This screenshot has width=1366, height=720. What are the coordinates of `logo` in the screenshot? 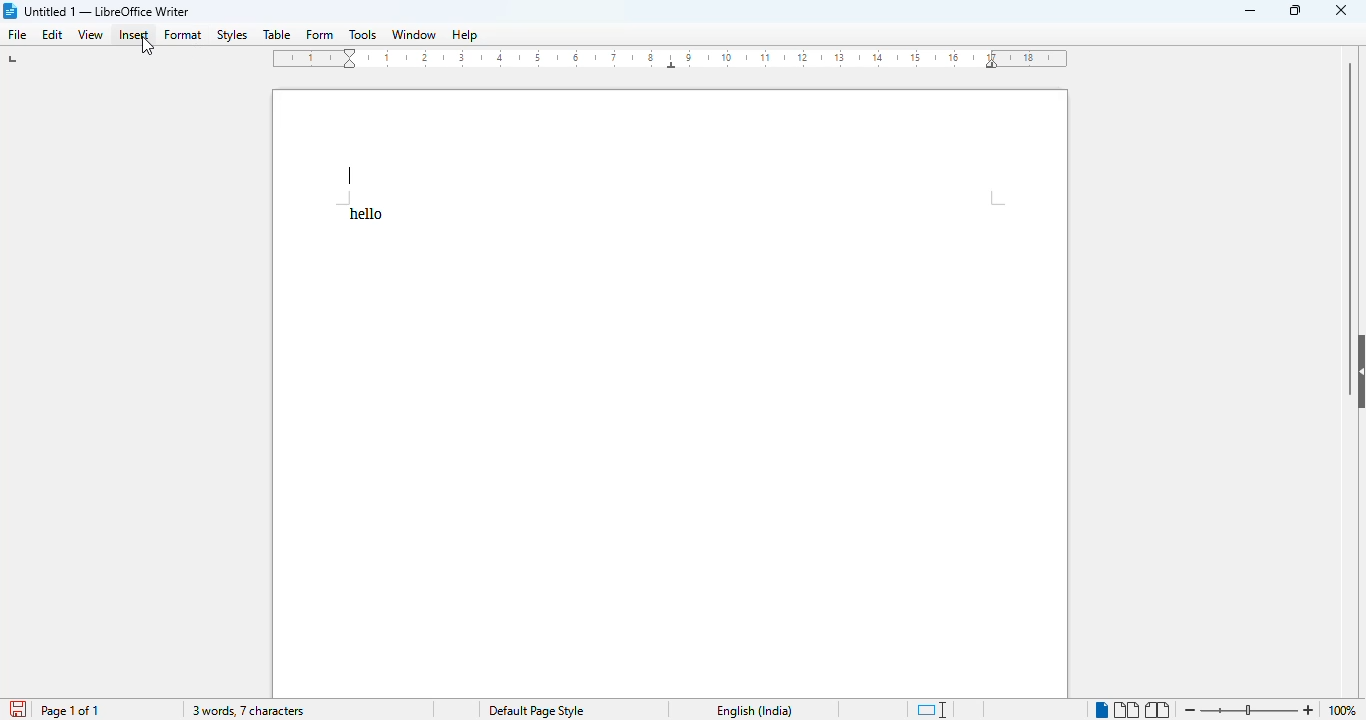 It's located at (9, 11).